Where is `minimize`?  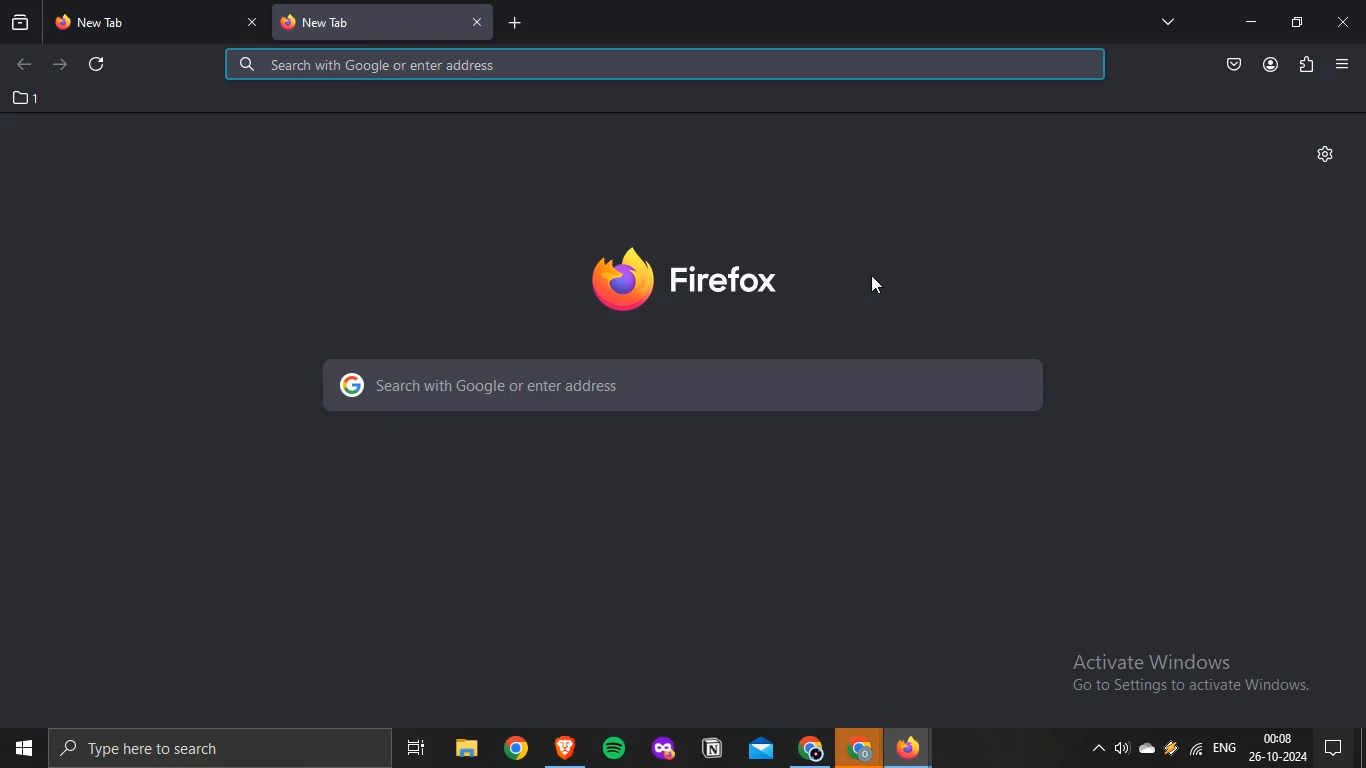
minimize is located at coordinates (1251, 22).